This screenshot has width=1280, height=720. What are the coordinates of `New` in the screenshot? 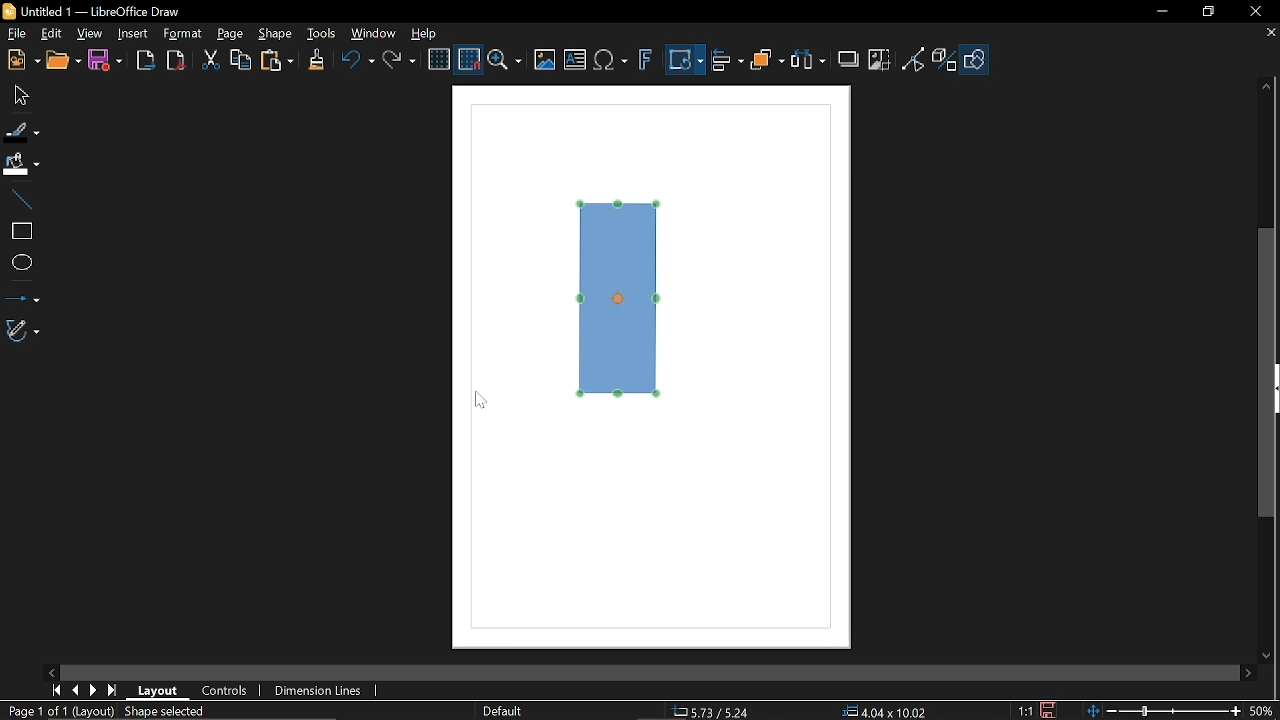 It's located at (22, 60).